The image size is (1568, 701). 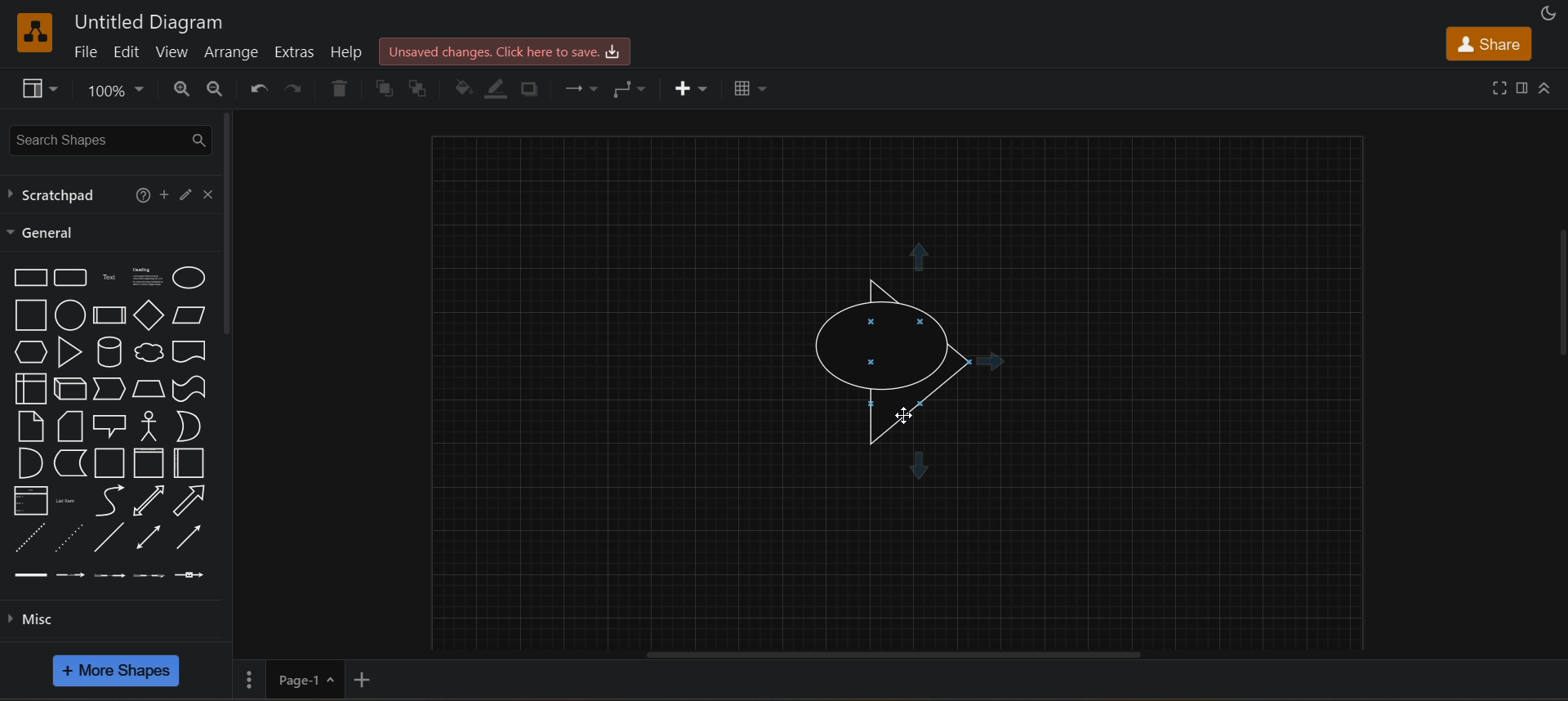 What do you see at coordinates (32, 462) in the screenshot?
I see `and` at bounding box center [32, 462].